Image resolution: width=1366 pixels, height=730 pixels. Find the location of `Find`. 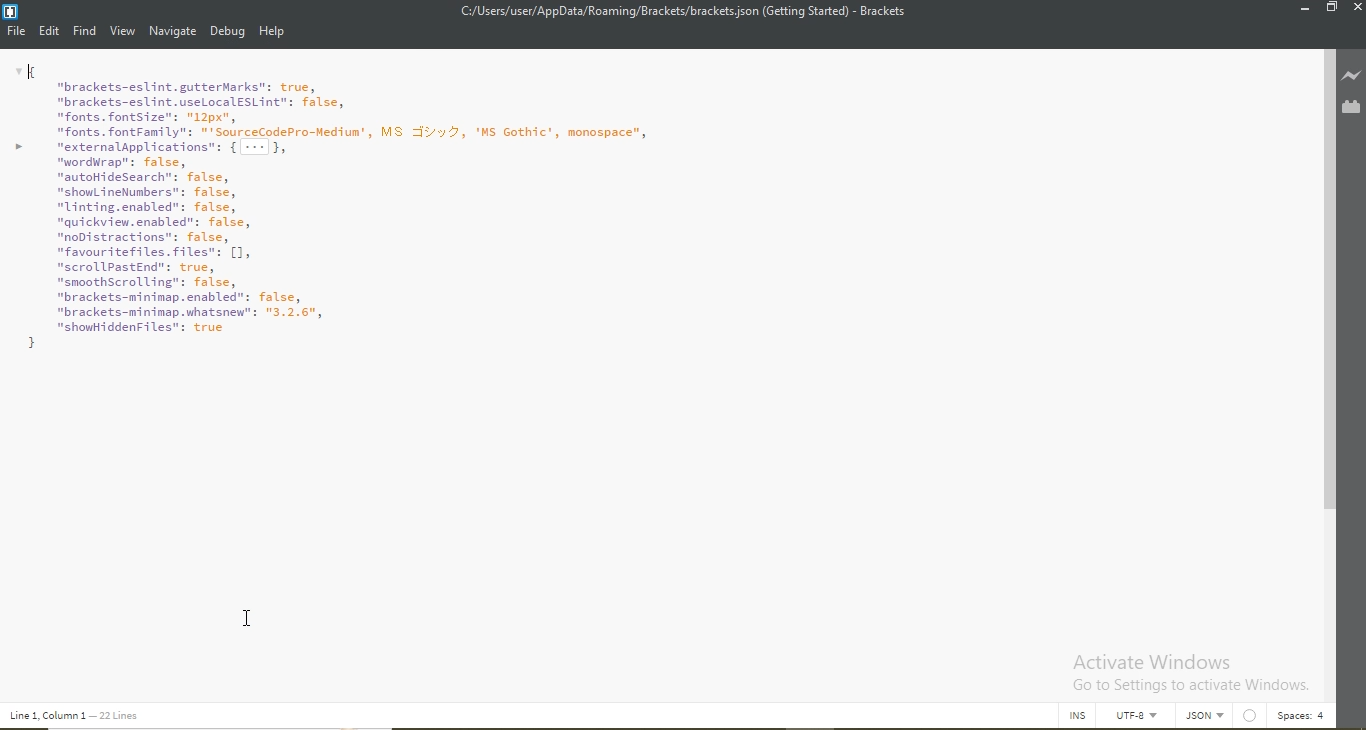

Find is located at coordinates (85, 31).